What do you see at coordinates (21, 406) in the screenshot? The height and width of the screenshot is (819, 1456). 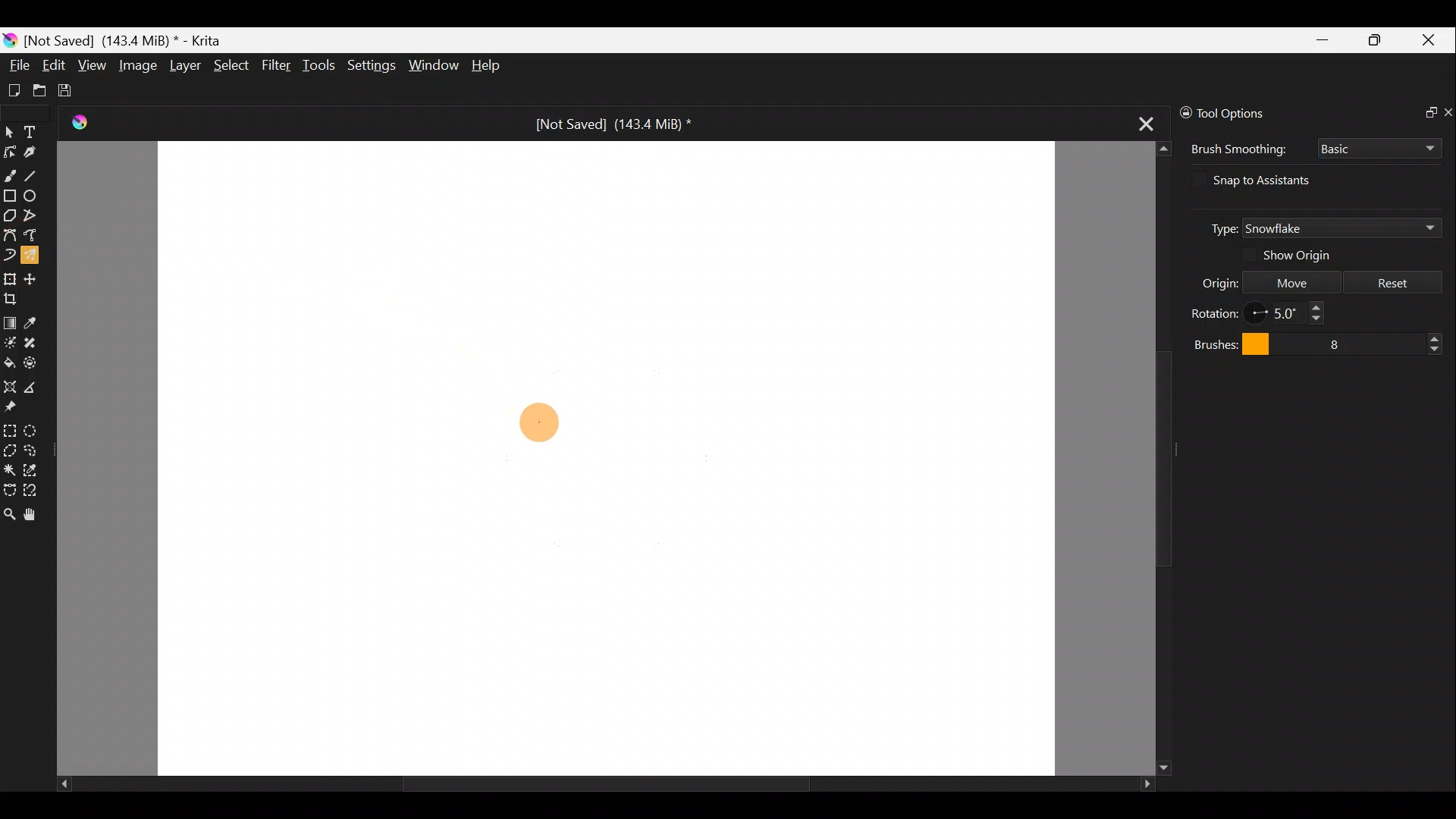 I see `Reference images tool` at bounding box center [21, 406].